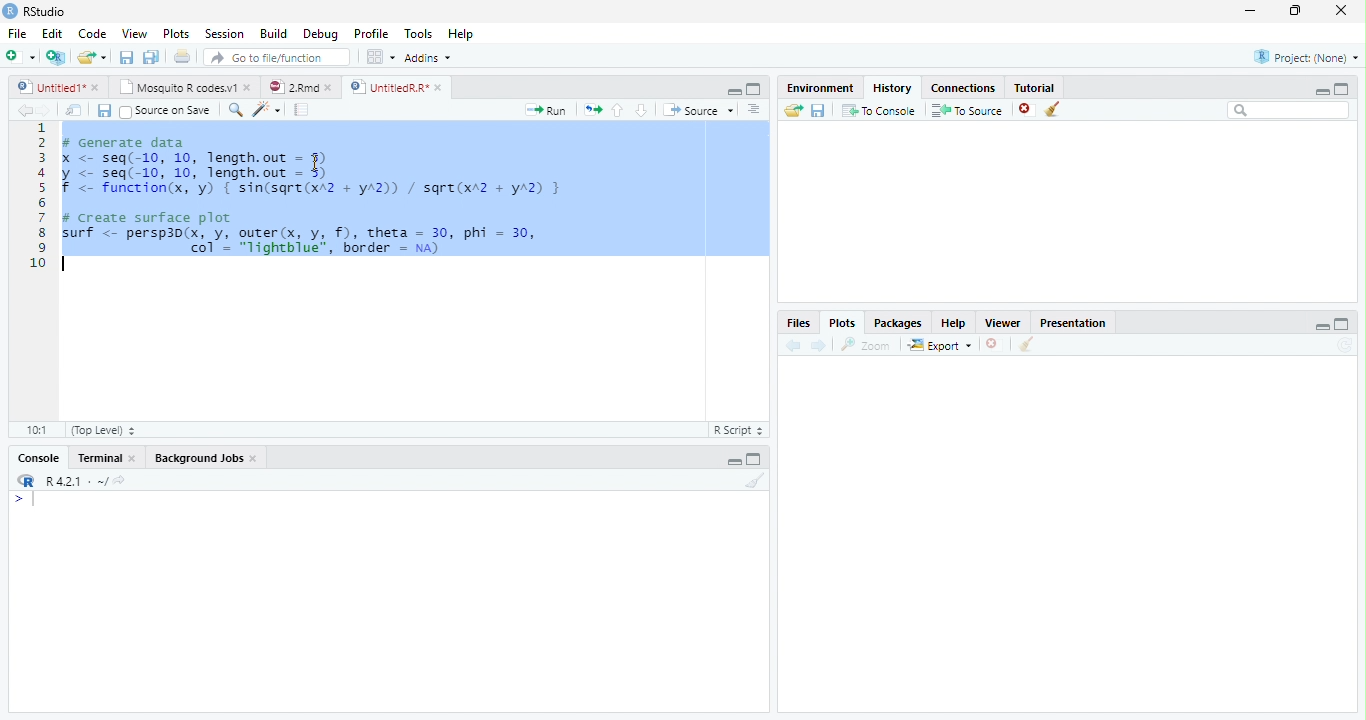  Describe the element at coordinates (1073, 322) in the screenshot. I see `Presentation` at that location.